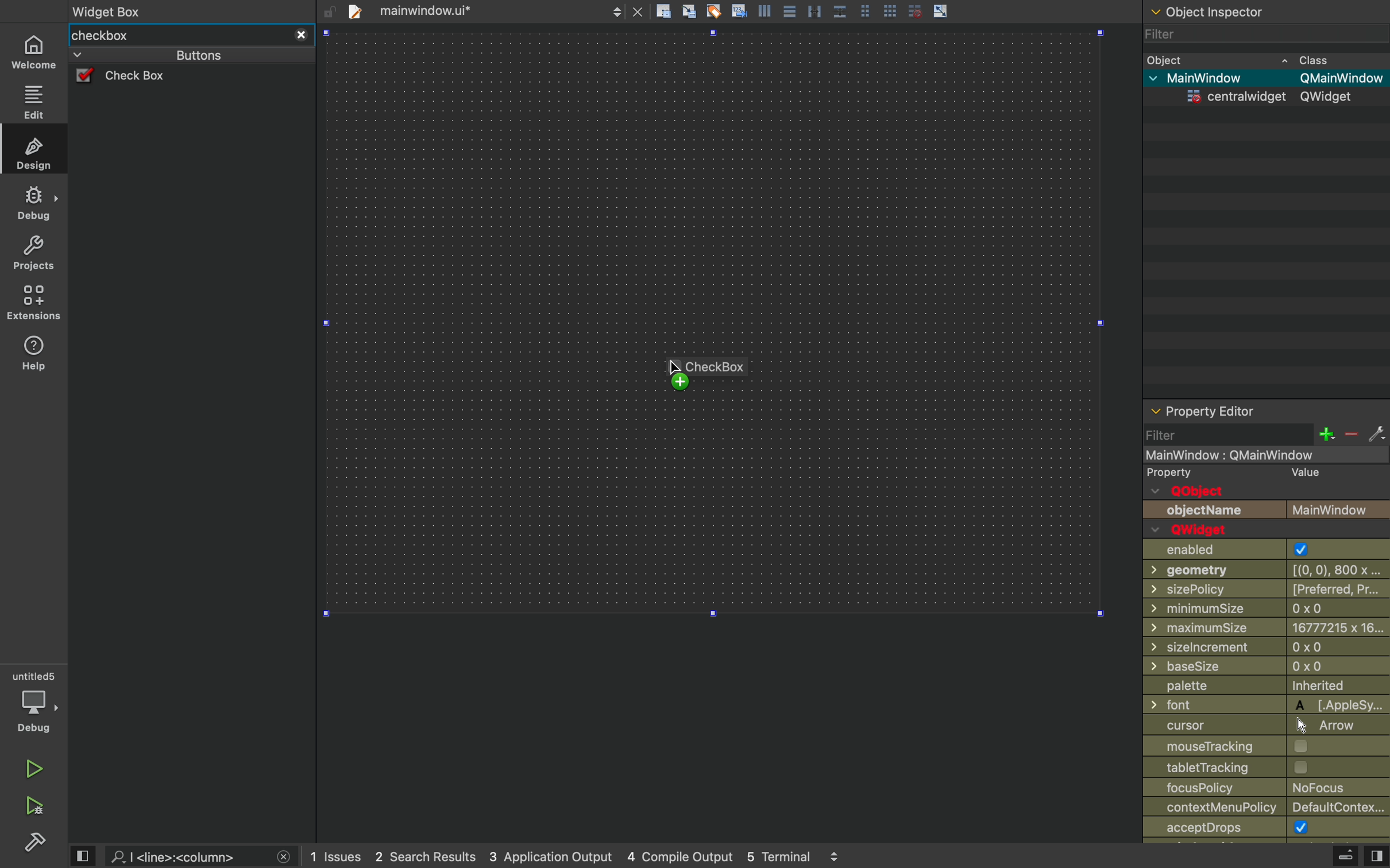 The width and height of the screenshot is (1390, 868). Describe the element at coordinates (663, 11) in the screenshot. I see `create rectangle` at that location.